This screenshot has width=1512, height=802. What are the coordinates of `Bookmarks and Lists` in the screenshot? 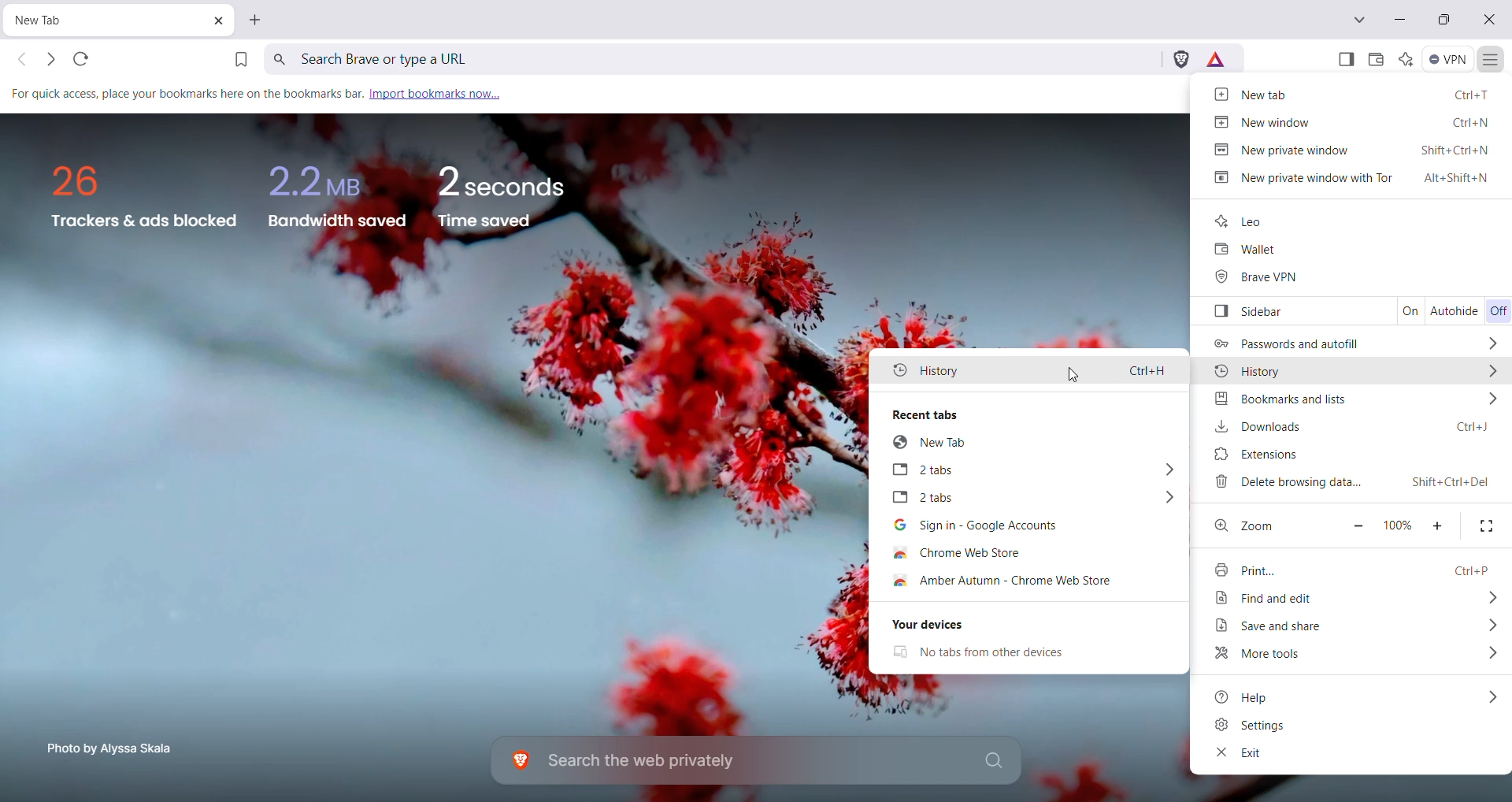 It's located at (1354, 399).